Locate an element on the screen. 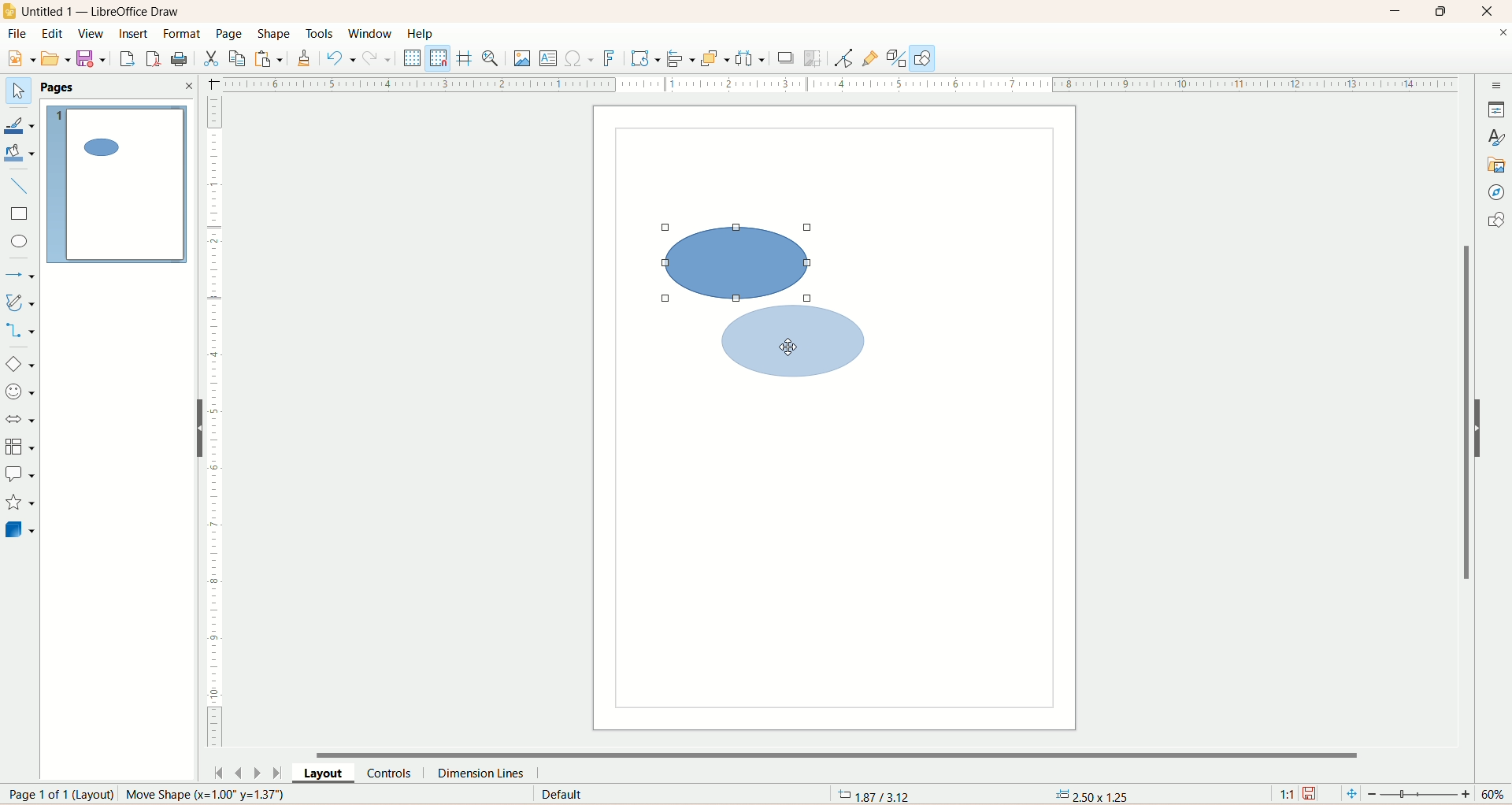  hide is located at coordinates (193, 427).